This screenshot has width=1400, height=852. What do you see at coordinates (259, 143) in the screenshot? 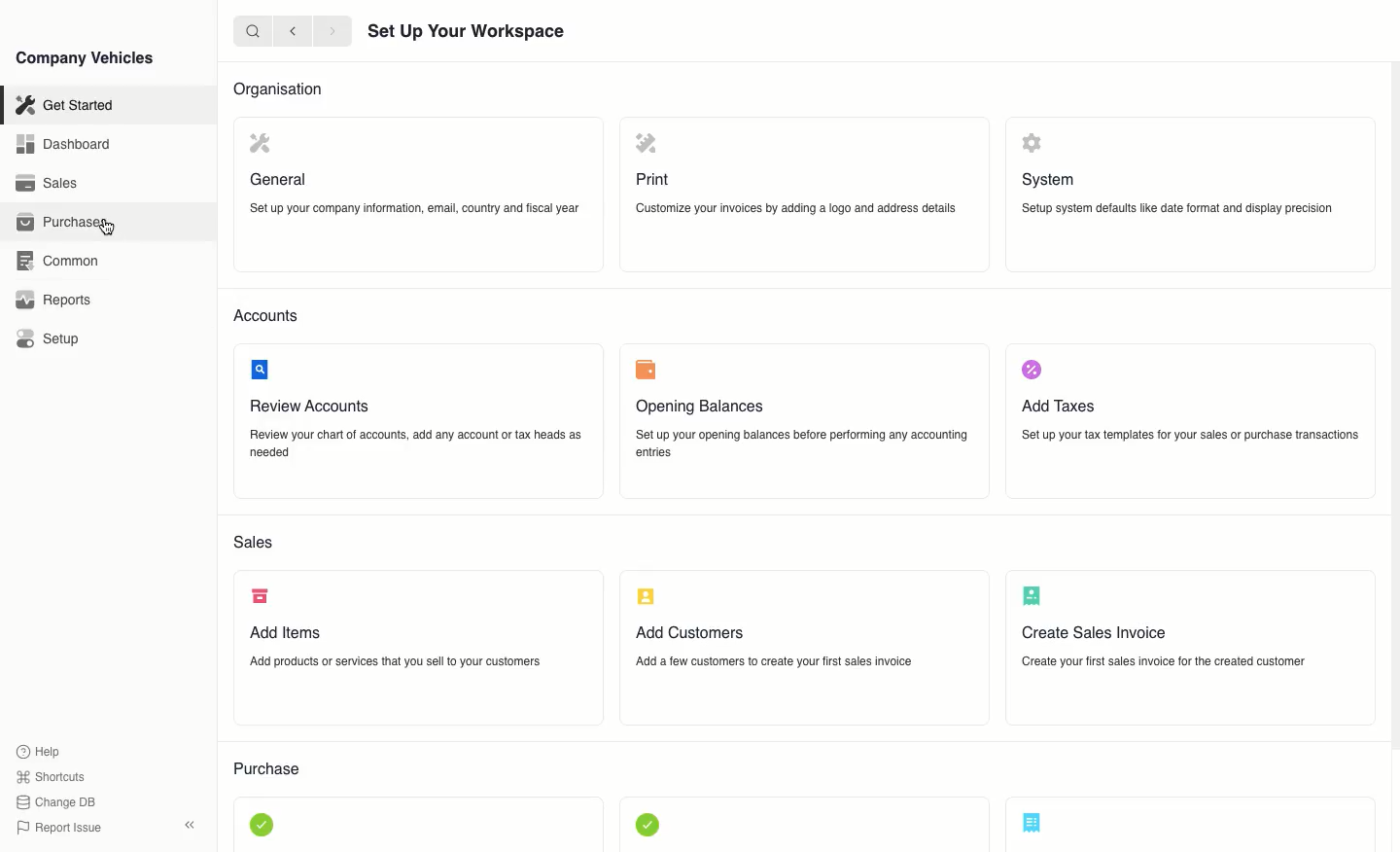
I see `icon` at bounding box center [259, 143].